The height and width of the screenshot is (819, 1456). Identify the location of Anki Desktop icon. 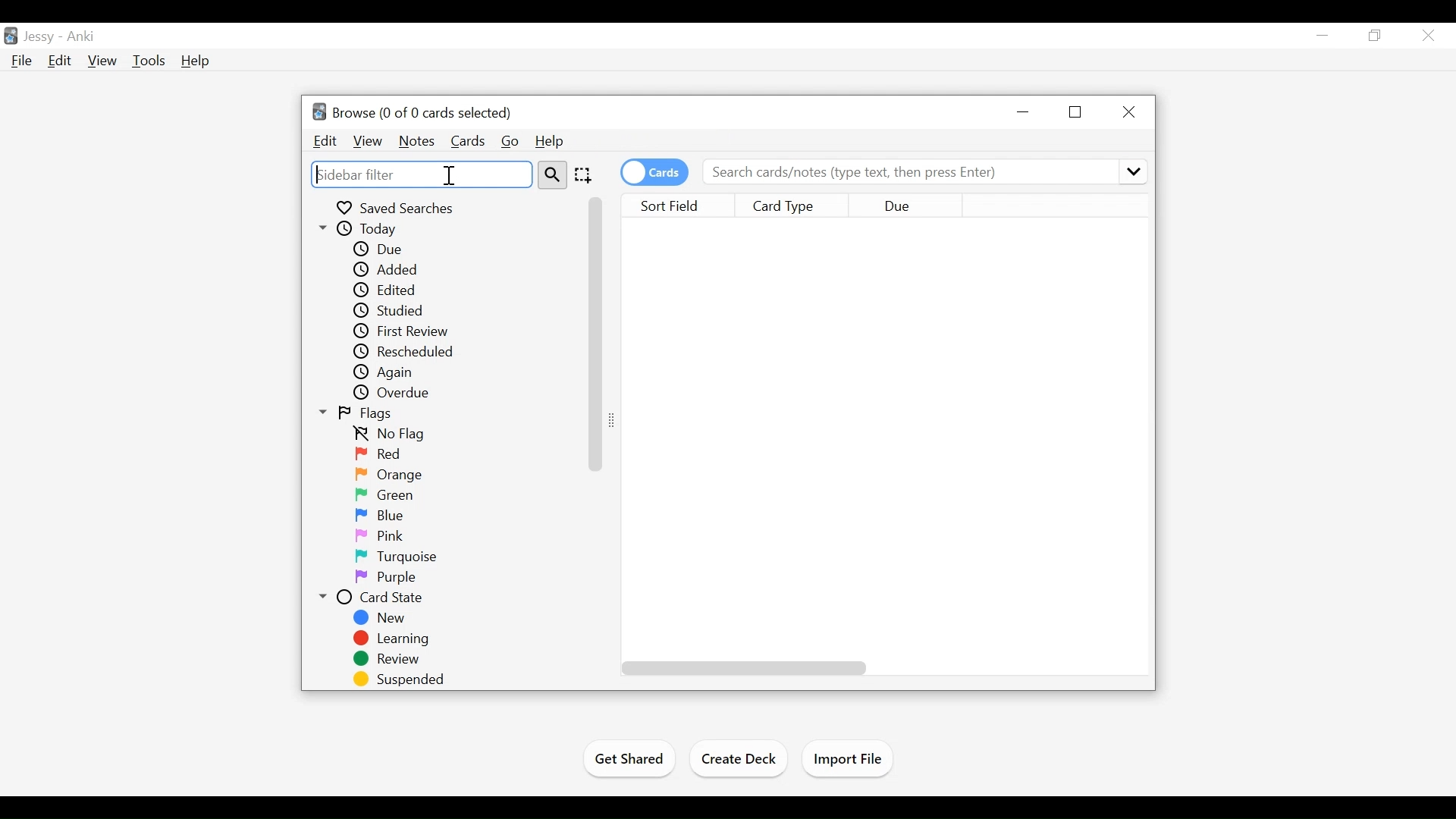
(10, 36).